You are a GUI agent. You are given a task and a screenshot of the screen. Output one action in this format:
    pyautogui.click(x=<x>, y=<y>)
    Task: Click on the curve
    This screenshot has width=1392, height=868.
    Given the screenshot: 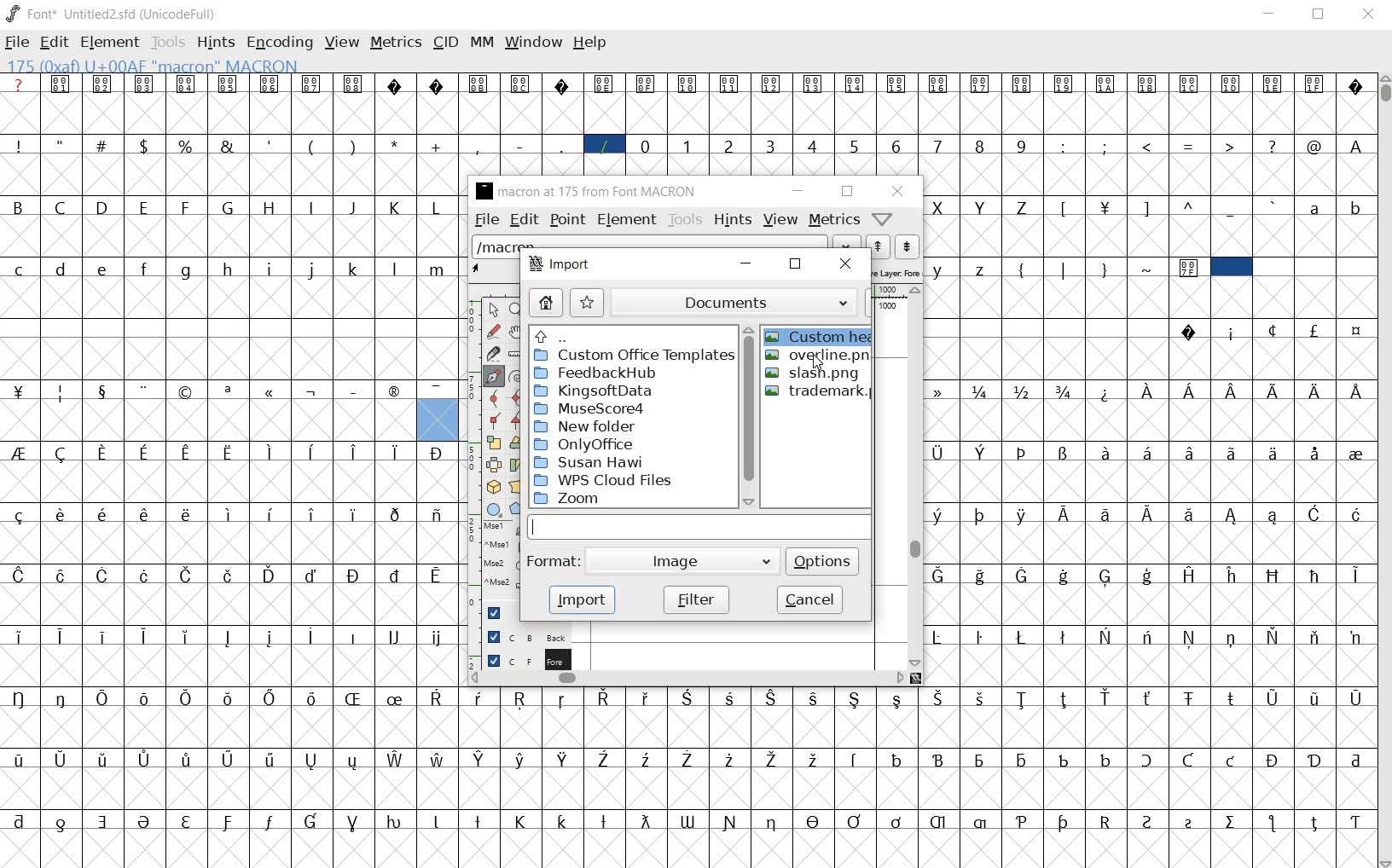 What is the action you would take?
    pyautogui.click(x=490, y=398)
    